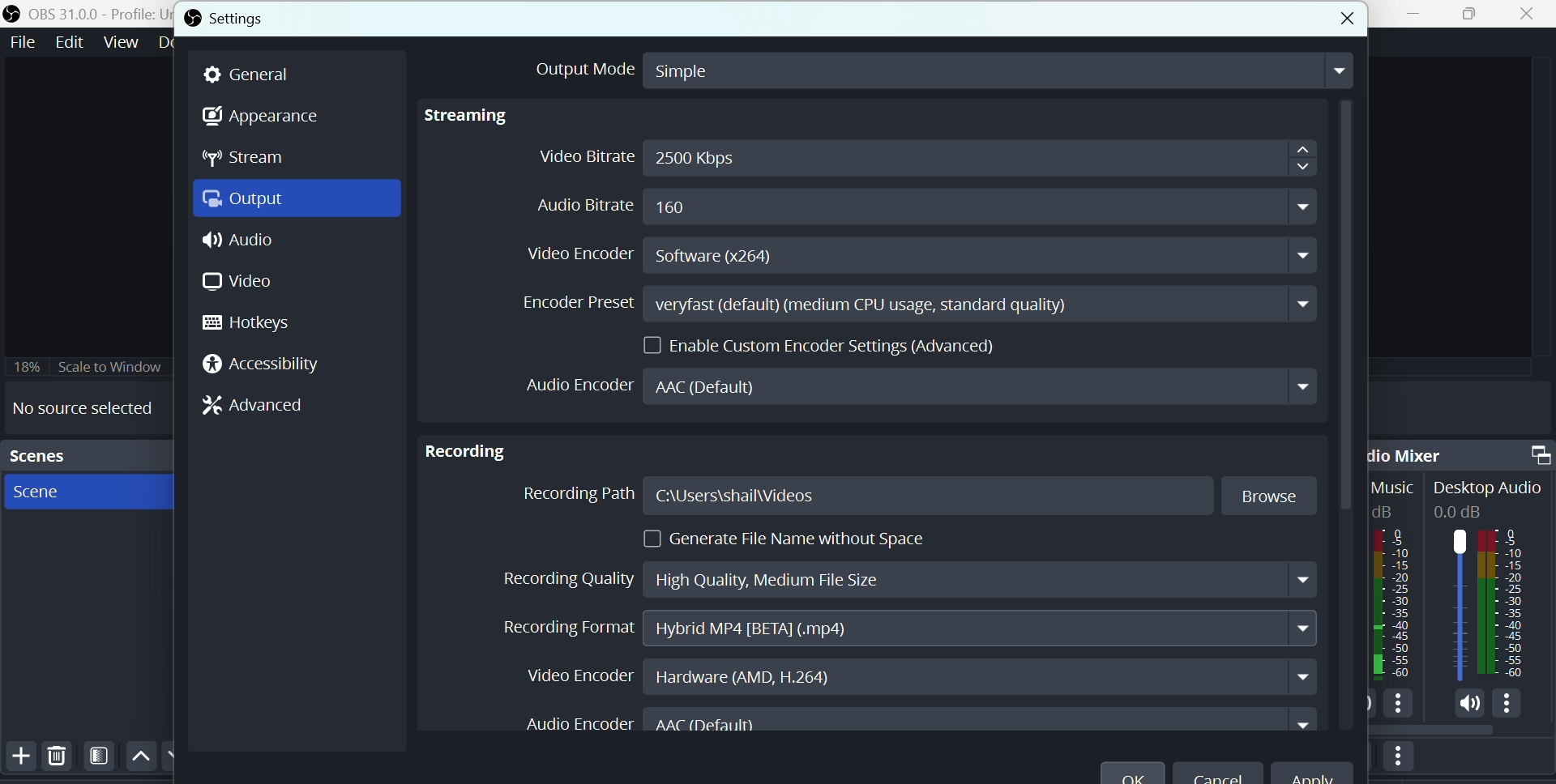 The height and width of the screenshot is (784, 1556). What do you see at coordinates (816, 346) in the screenshot?
I see `Enable custom encoder settings` at bounding box center [816, 346].